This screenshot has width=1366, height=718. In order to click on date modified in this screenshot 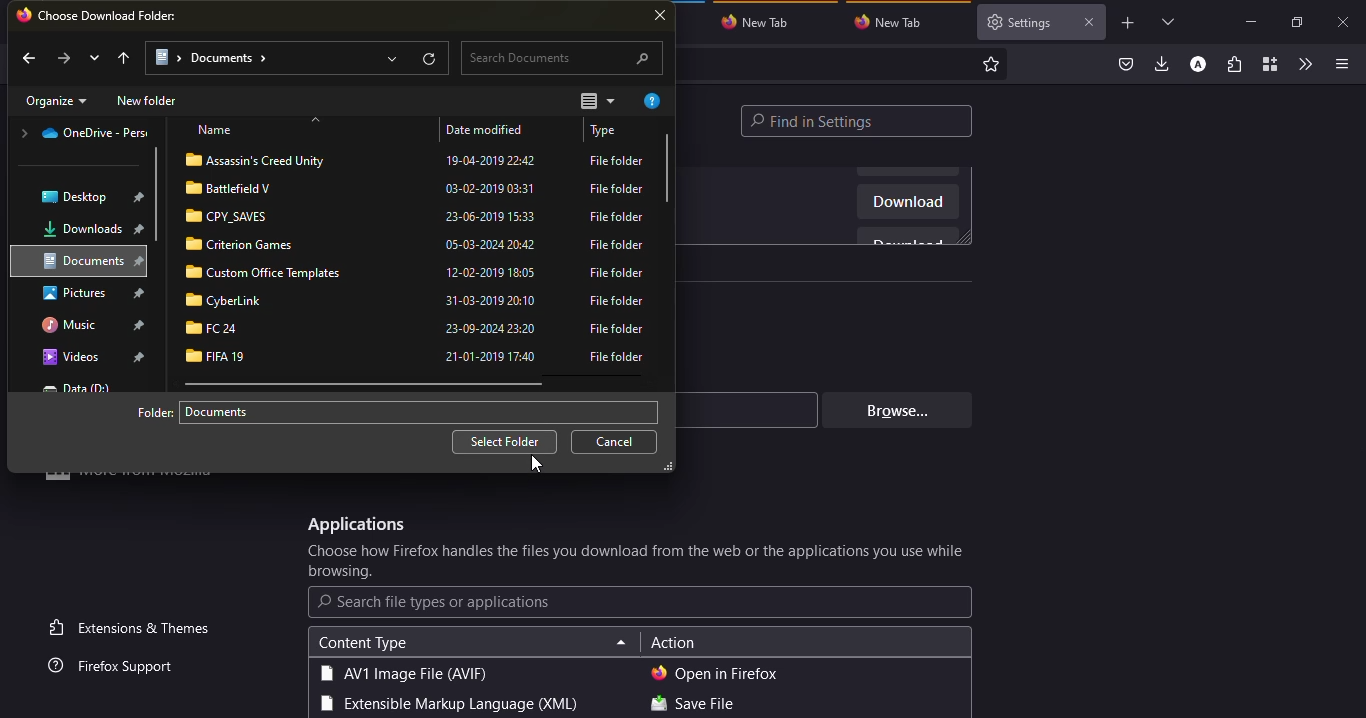, I will do `click(491, 217)`.